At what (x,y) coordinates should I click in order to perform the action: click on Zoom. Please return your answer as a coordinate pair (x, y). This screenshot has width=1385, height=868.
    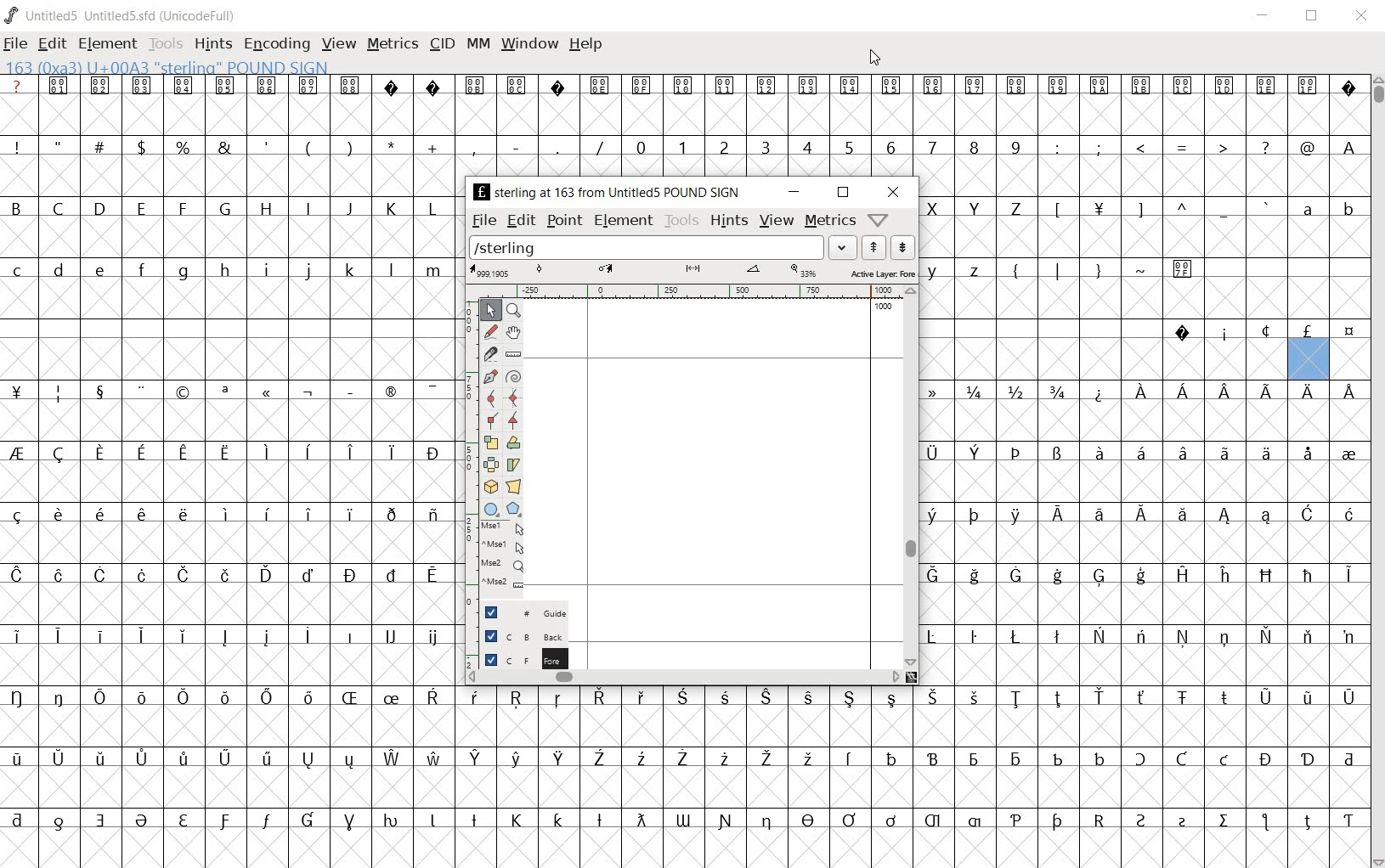
    Looking at the image, I should click on (517, 311).